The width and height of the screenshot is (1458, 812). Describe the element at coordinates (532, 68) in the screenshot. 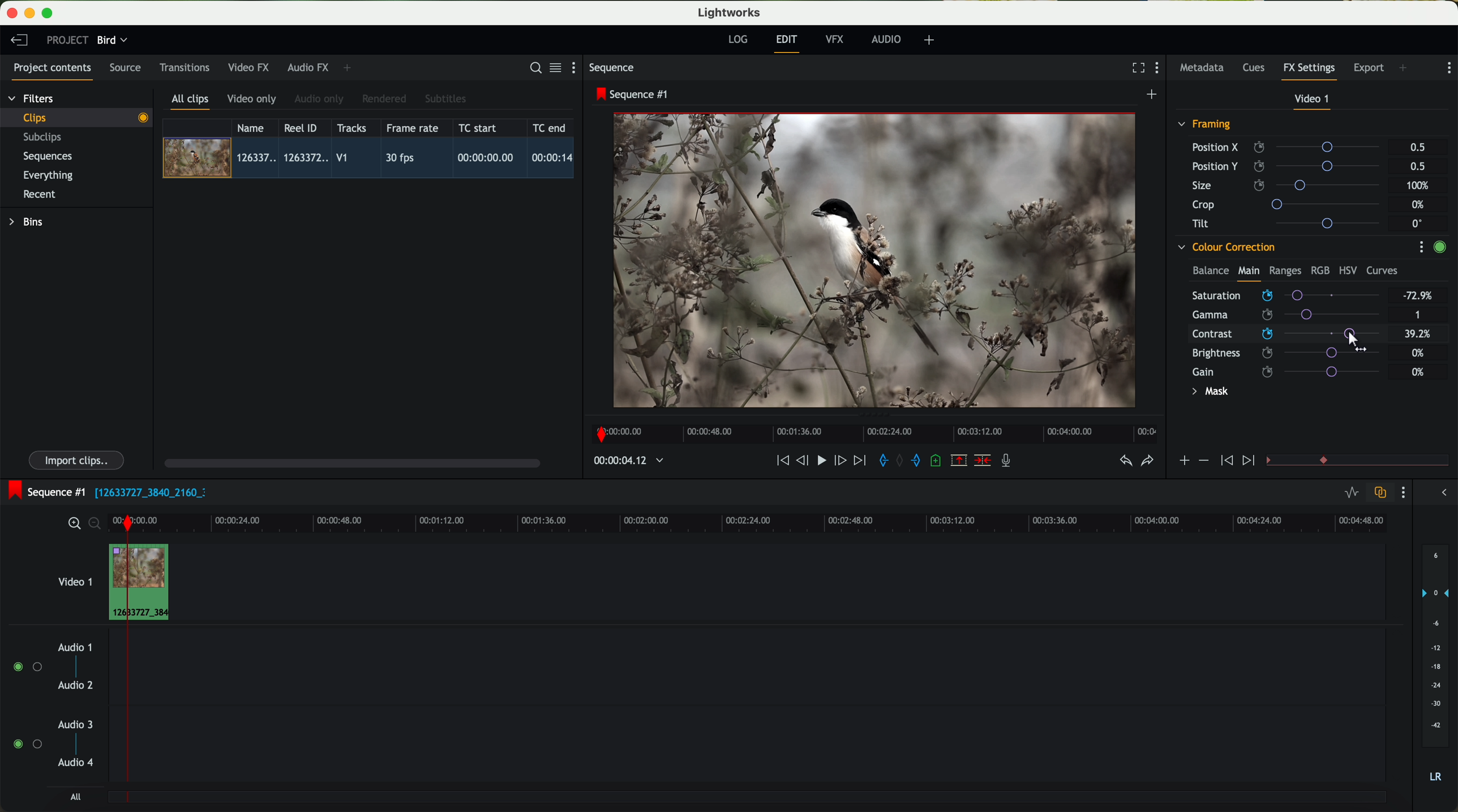

I see `search for assets or bins` at that location.